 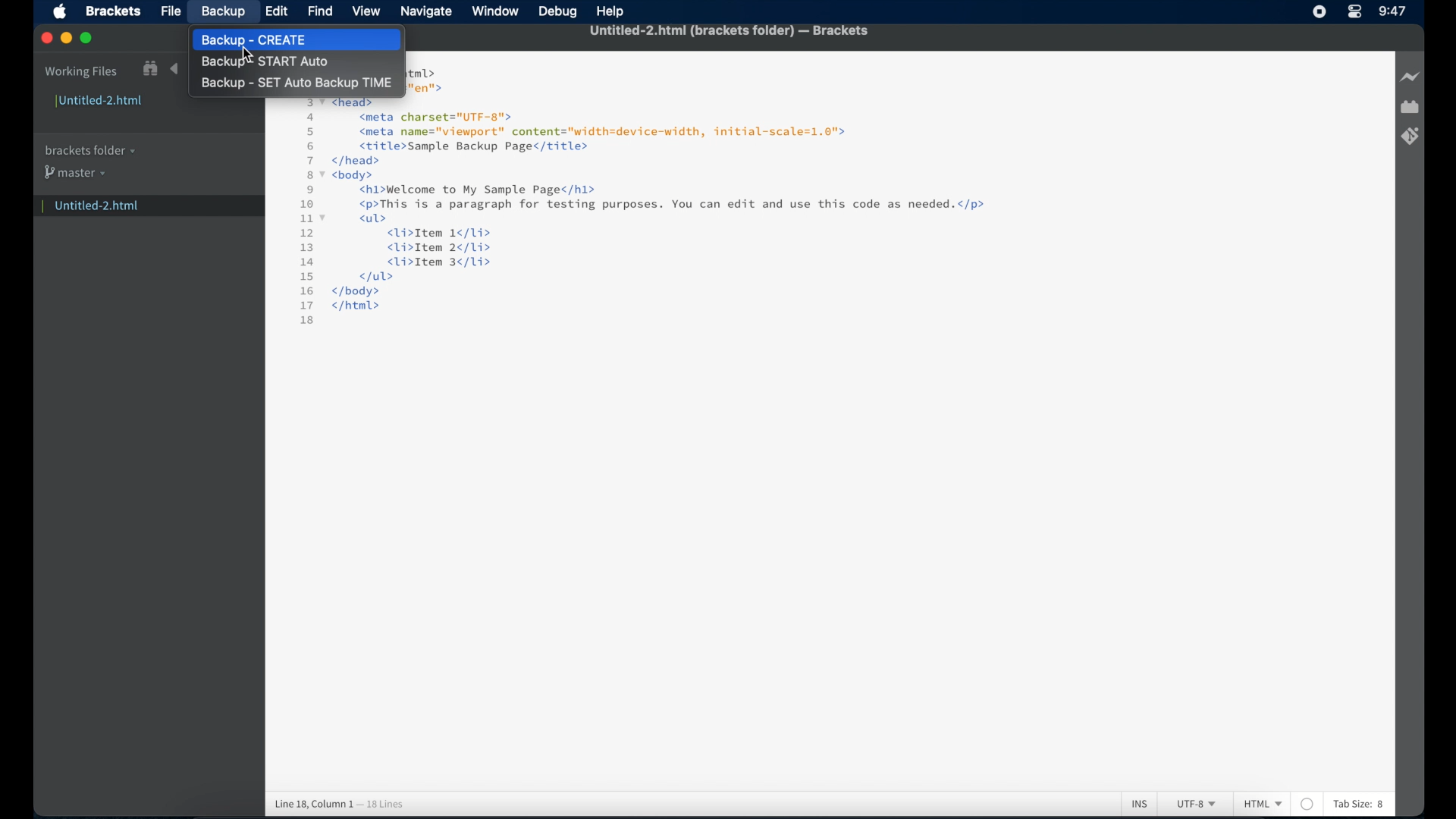 I want to click on extension manager, so click(x=1410, y=107).